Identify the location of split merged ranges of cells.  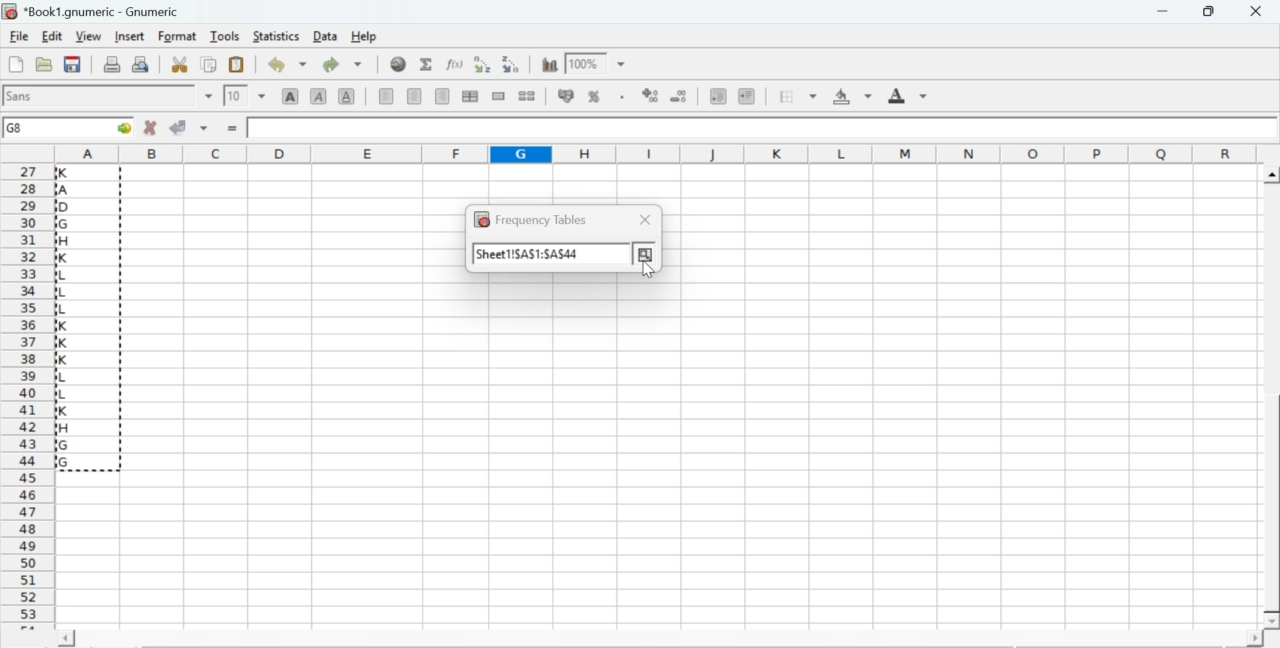
(526, 95).